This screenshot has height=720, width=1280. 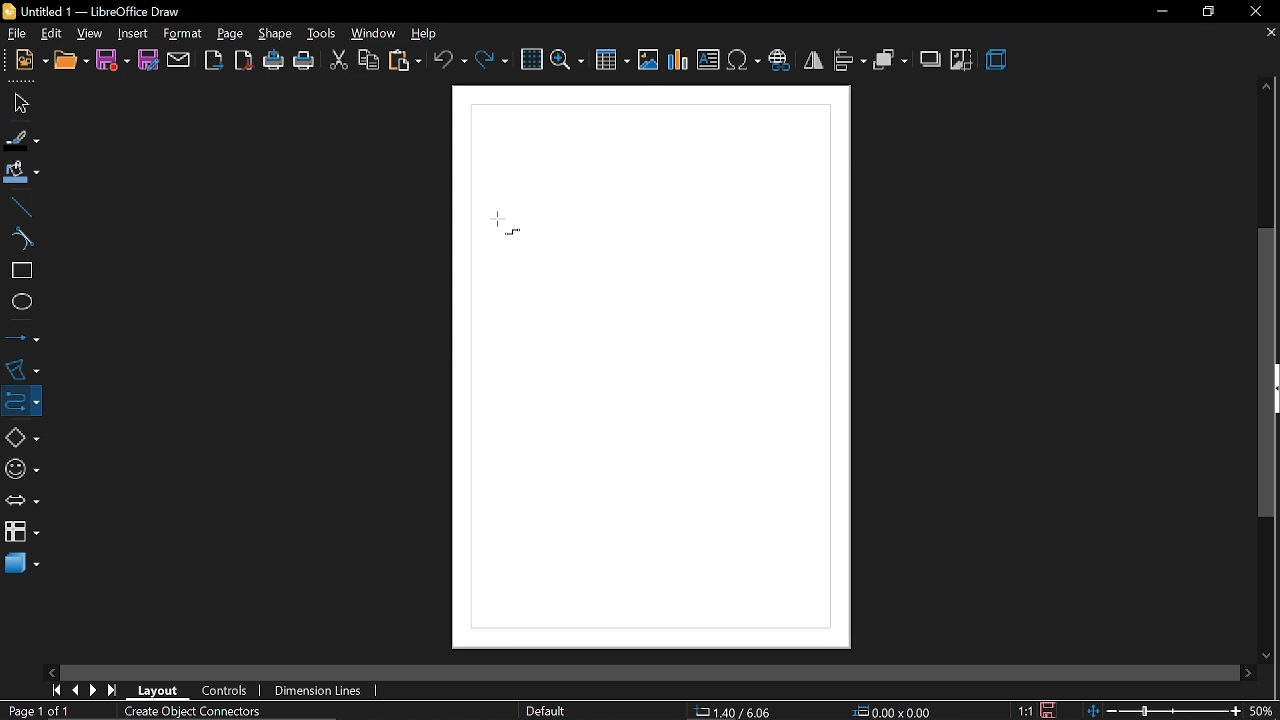 I want to click on export as pdf, so click(x=244, y=62).